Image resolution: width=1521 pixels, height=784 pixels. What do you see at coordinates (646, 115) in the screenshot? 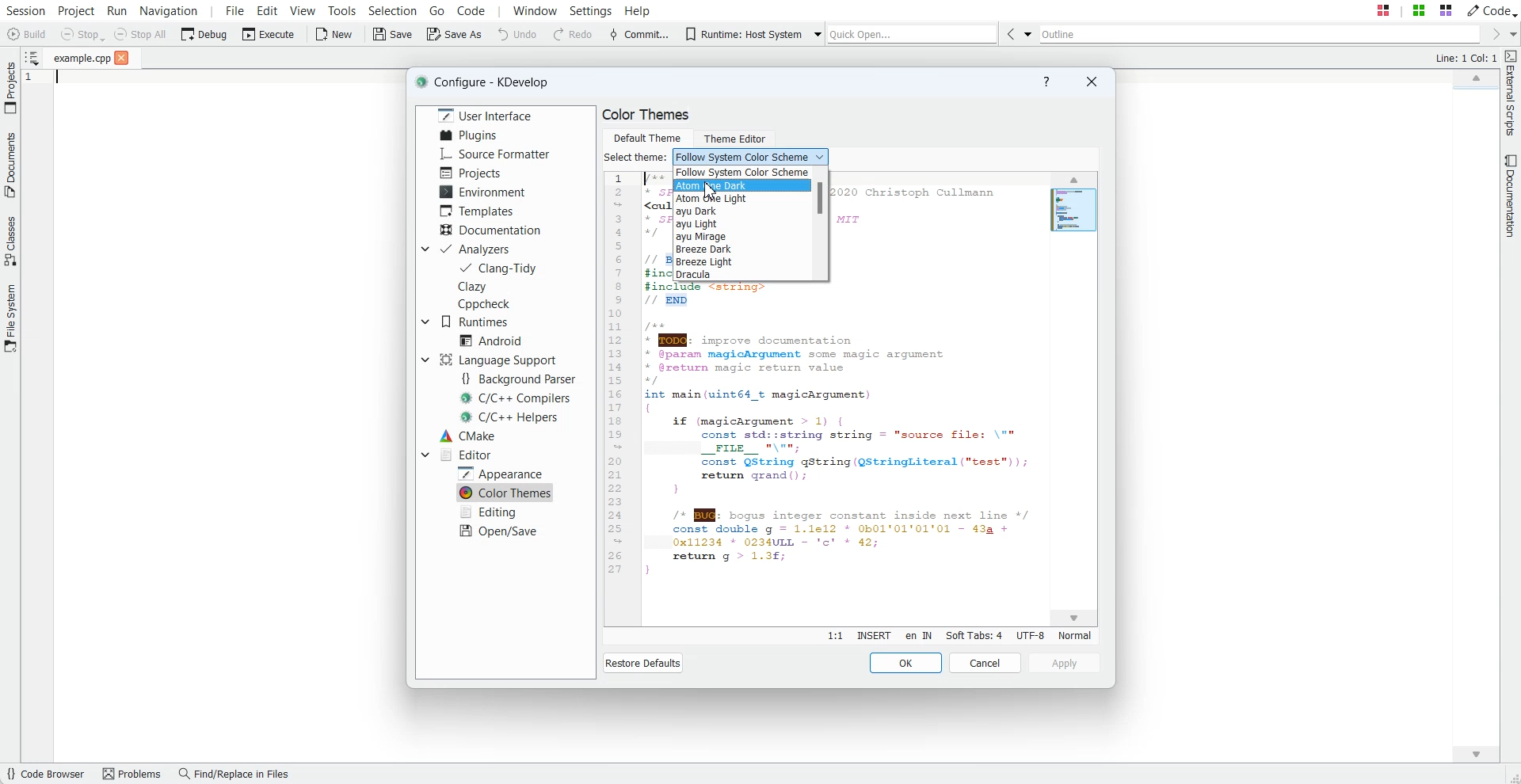
I see `Text` at bounding box center [646, 115].